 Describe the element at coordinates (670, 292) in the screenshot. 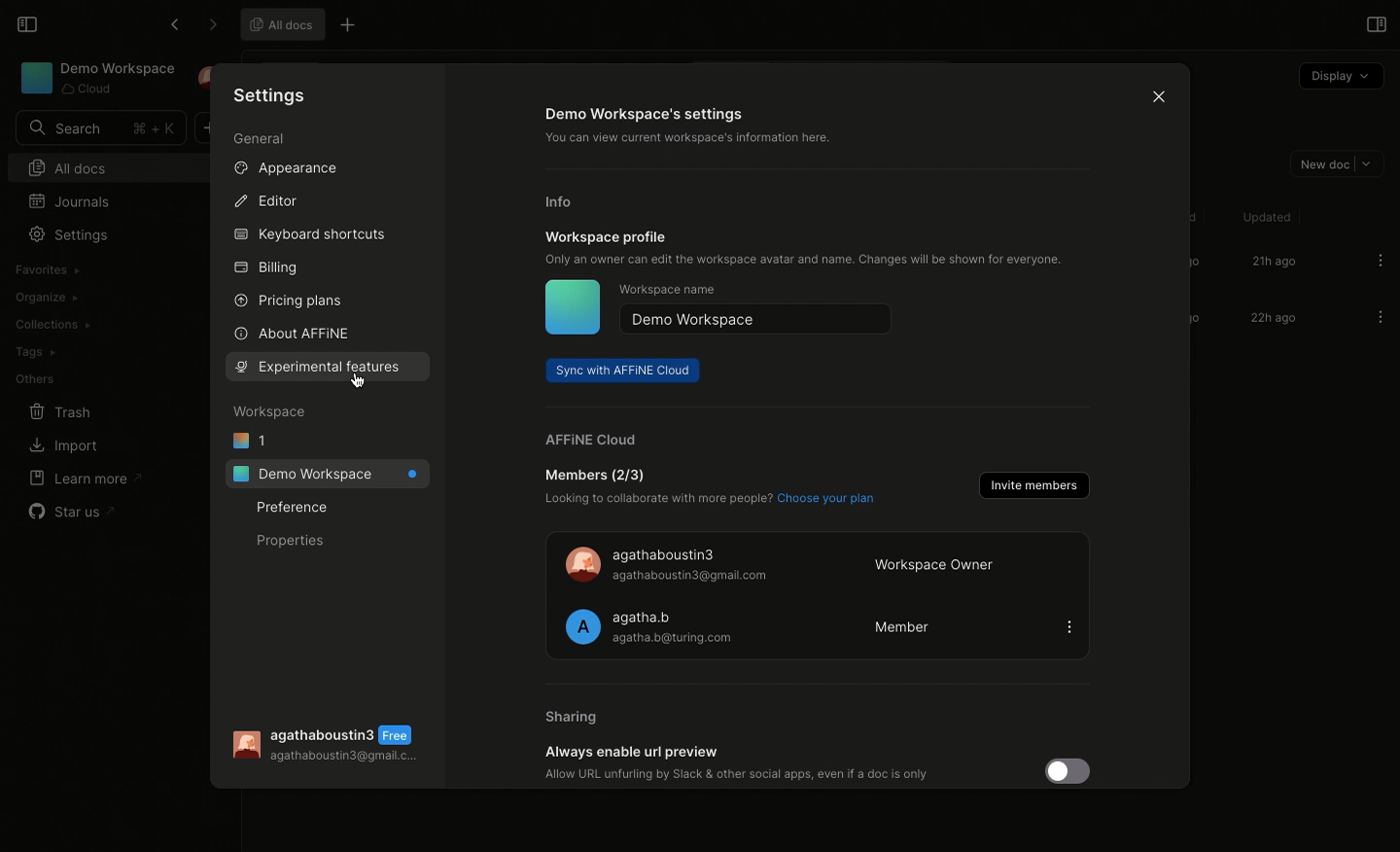

I see `Workspace name` at that location.